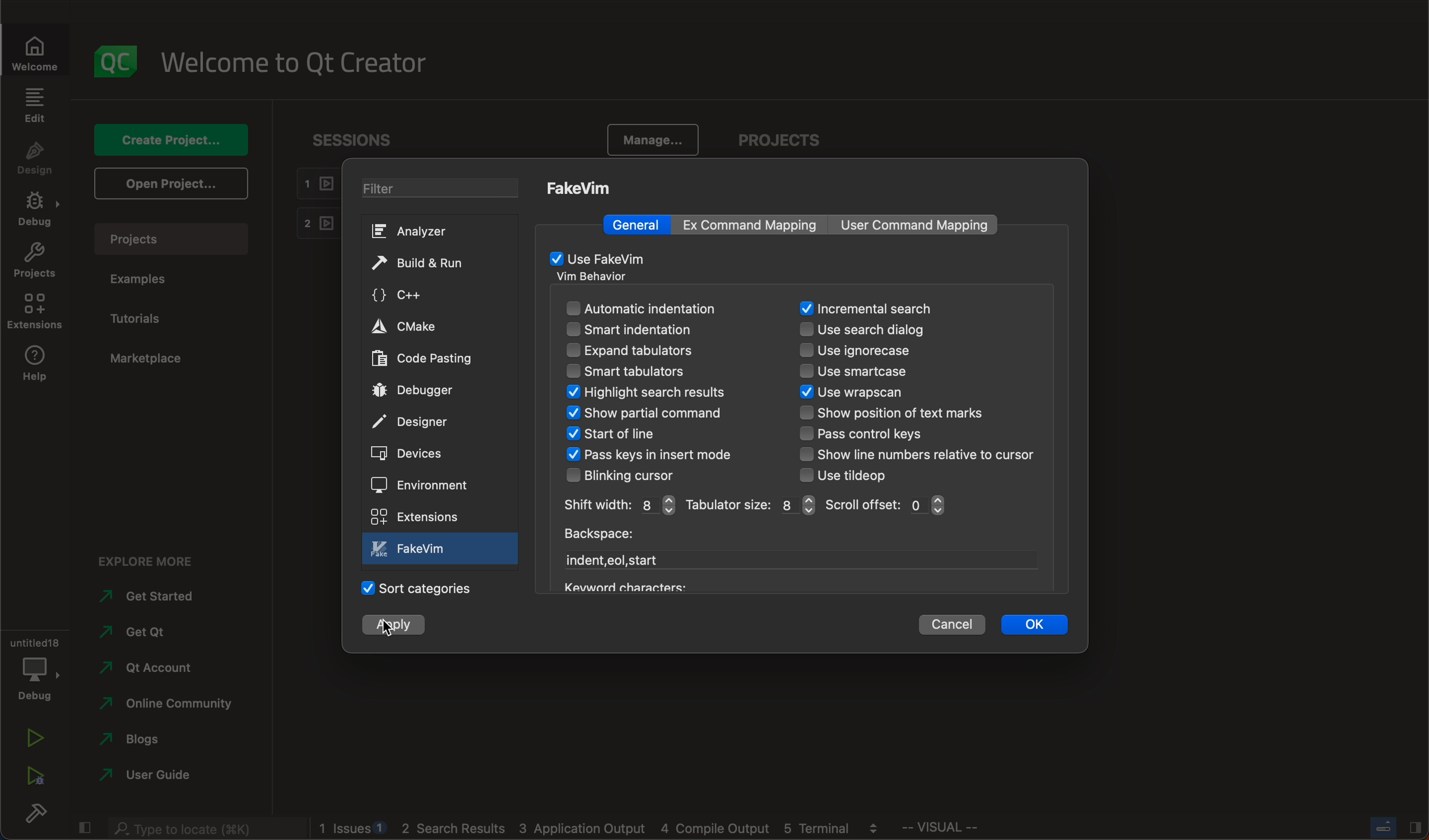 The width and height of the screenshot is (1429, 840). Describe the element at coordinates (601, 257) in the screenshot. I see `fakeVim enabled` at that location.